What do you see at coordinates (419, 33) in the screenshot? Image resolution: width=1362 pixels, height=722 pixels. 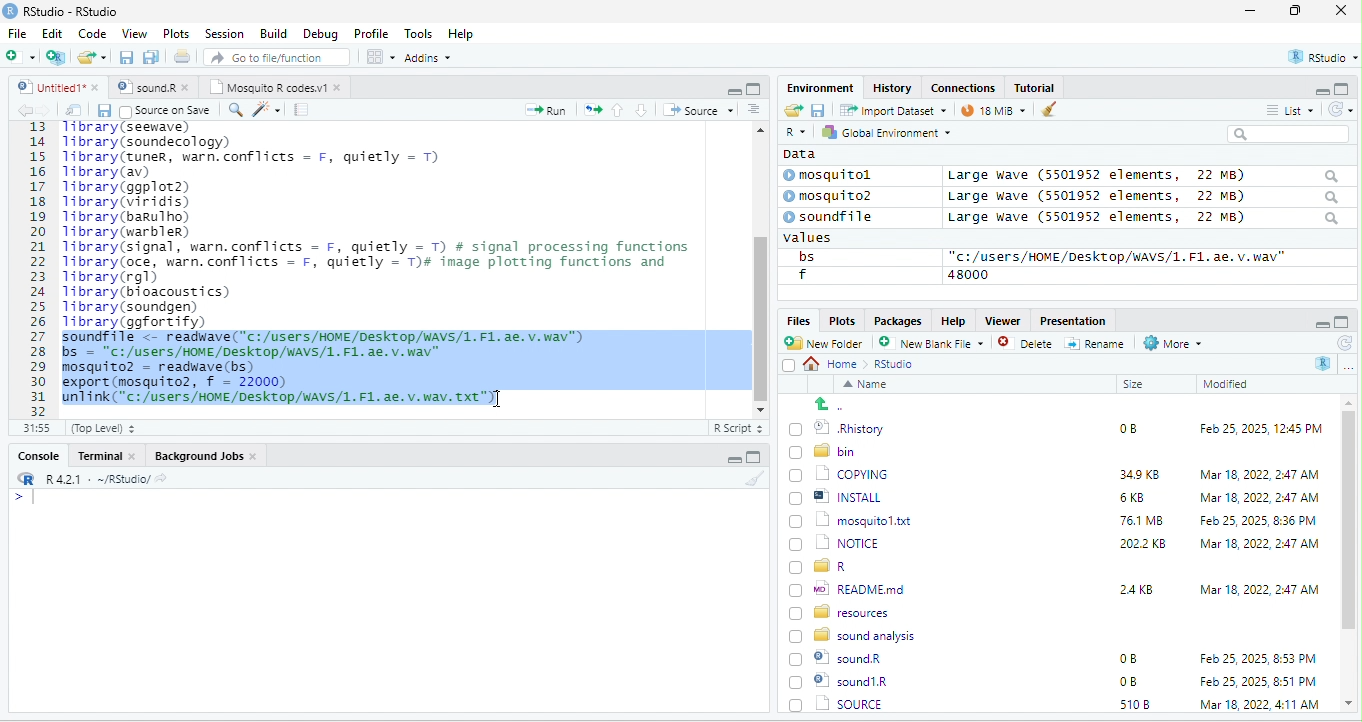 I see `Tools` at bounding box center [419, 33].